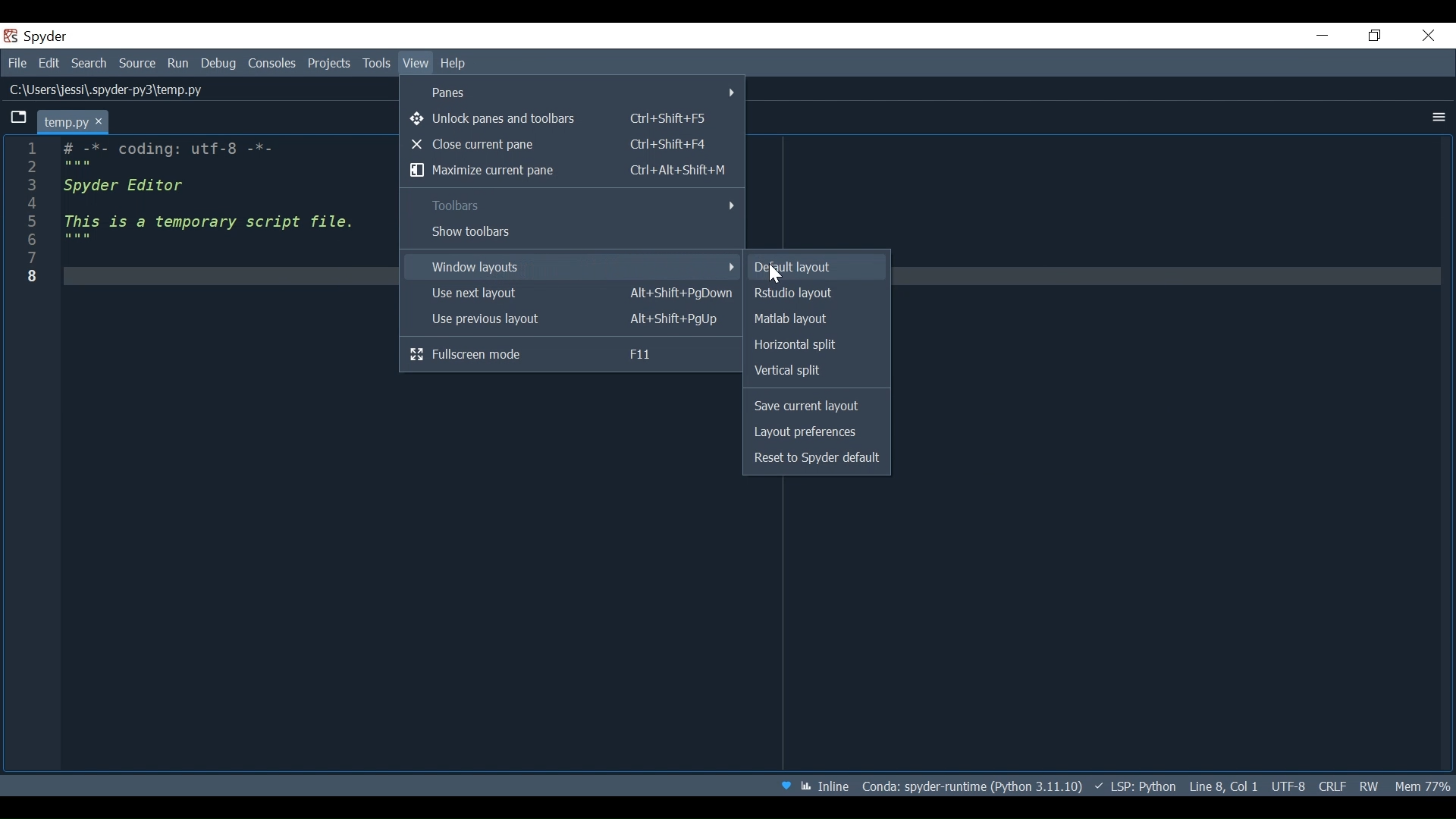 The image size is (1456, 819). Describe the element at coordinates (571, 232) in the screenshot. I see `Show toolbars` at that location.